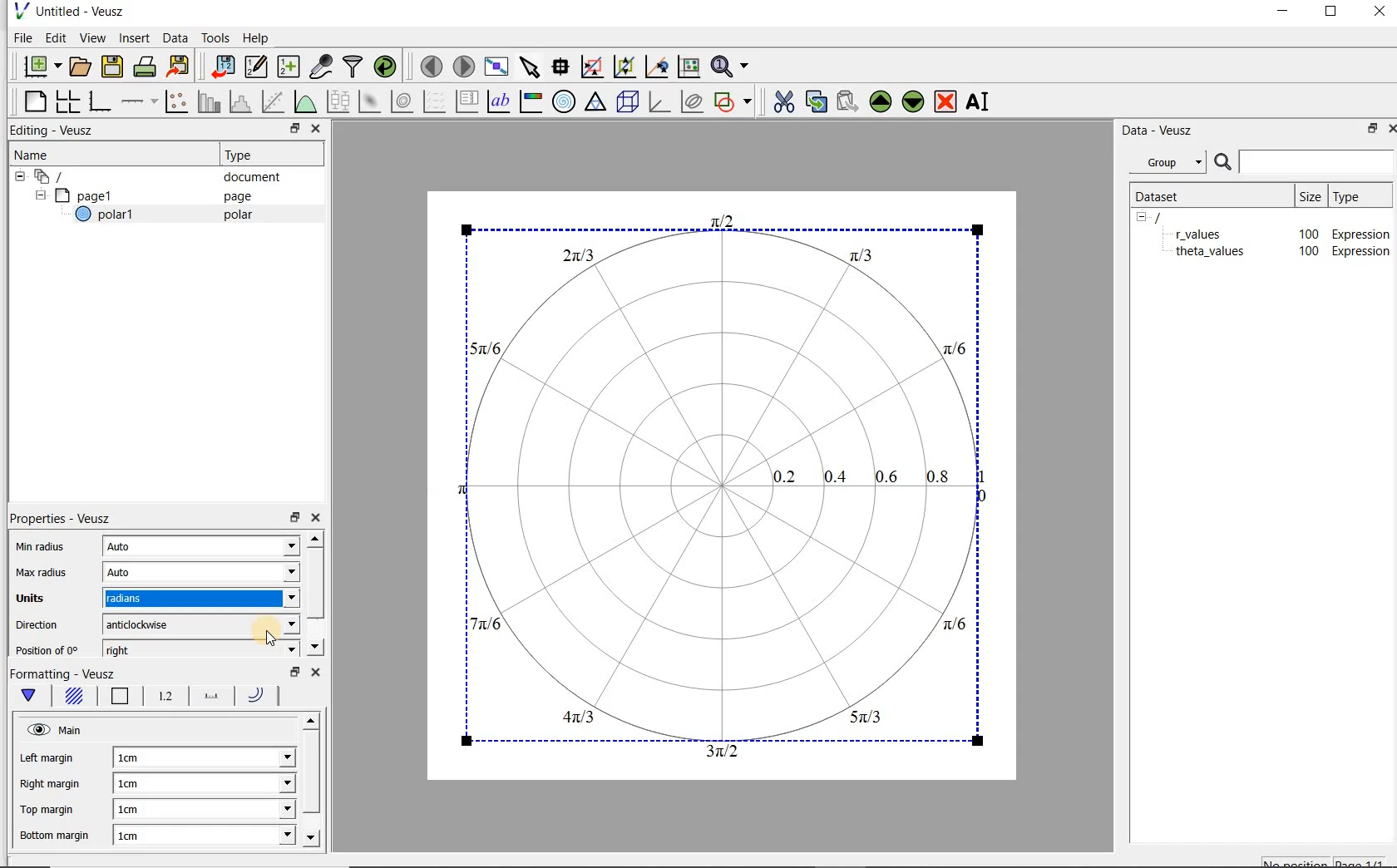 Image resolution: width=1397 pixels, height=868 pixels. Describe the element at coordinates (322, 69) in the screenshot. I see `capture remote data` at that location.